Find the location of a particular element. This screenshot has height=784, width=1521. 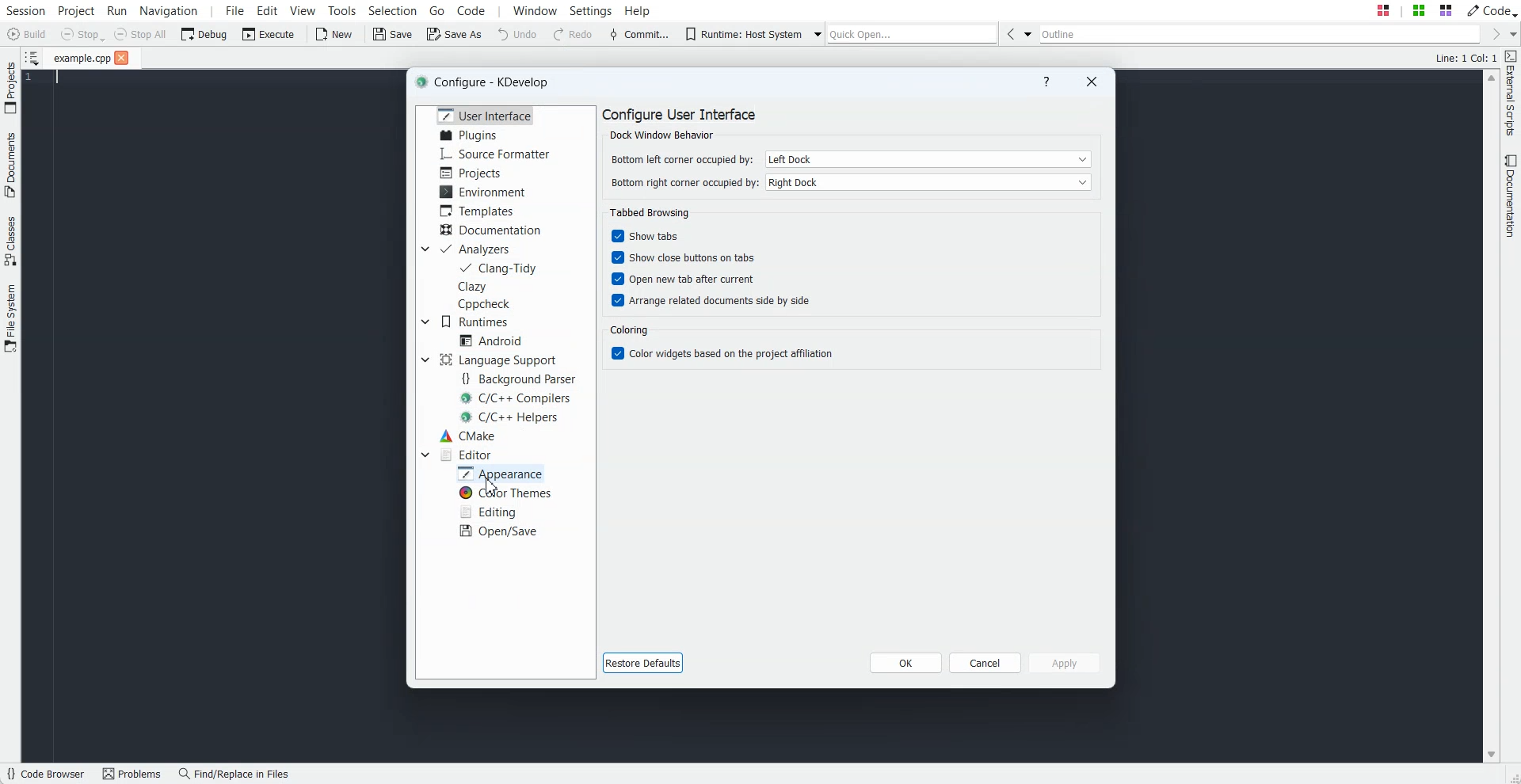

Close is located at coordinates (1089, 82).